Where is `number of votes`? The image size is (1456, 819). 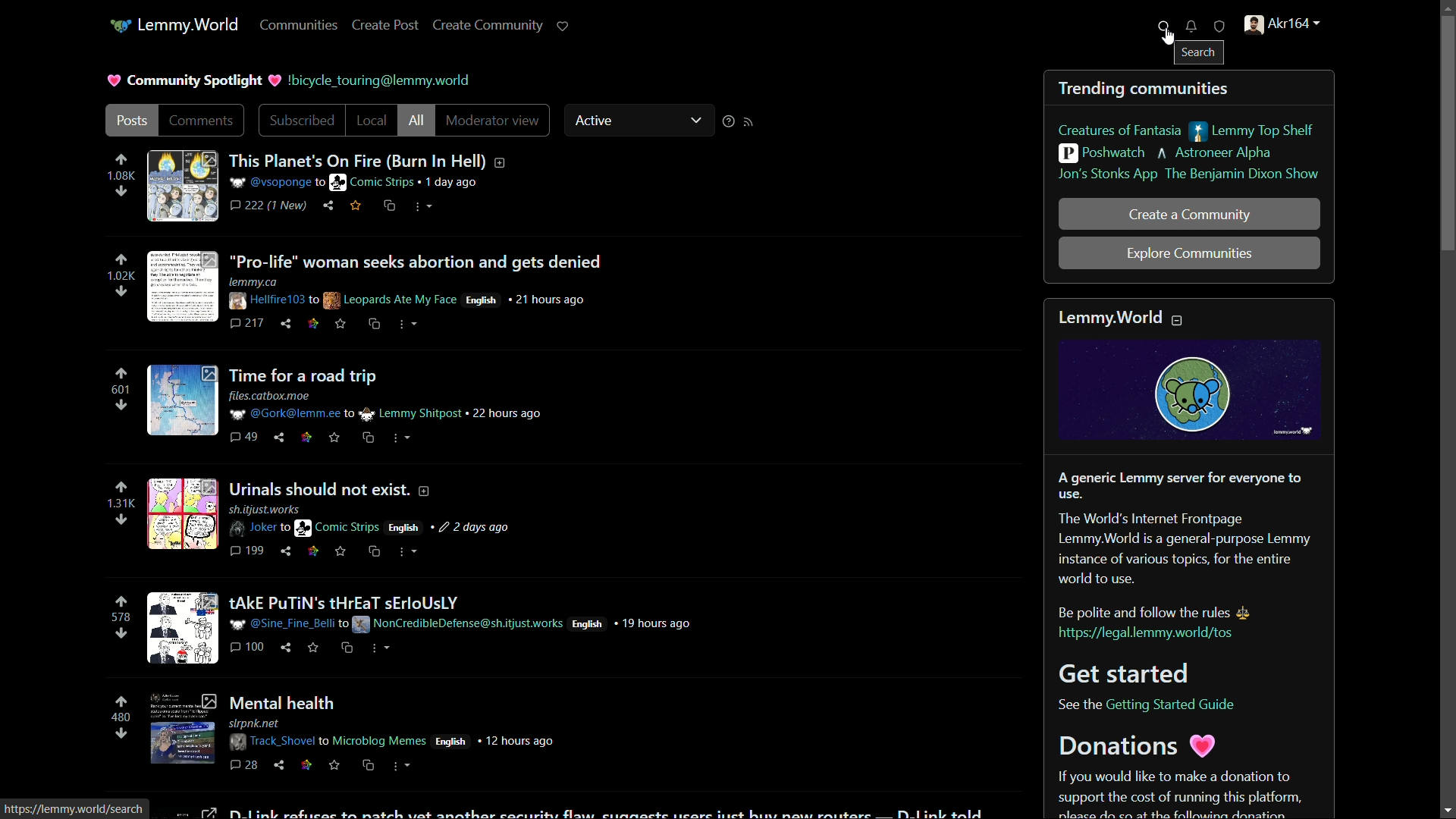 number of votes is located at coordinates (119, 618).